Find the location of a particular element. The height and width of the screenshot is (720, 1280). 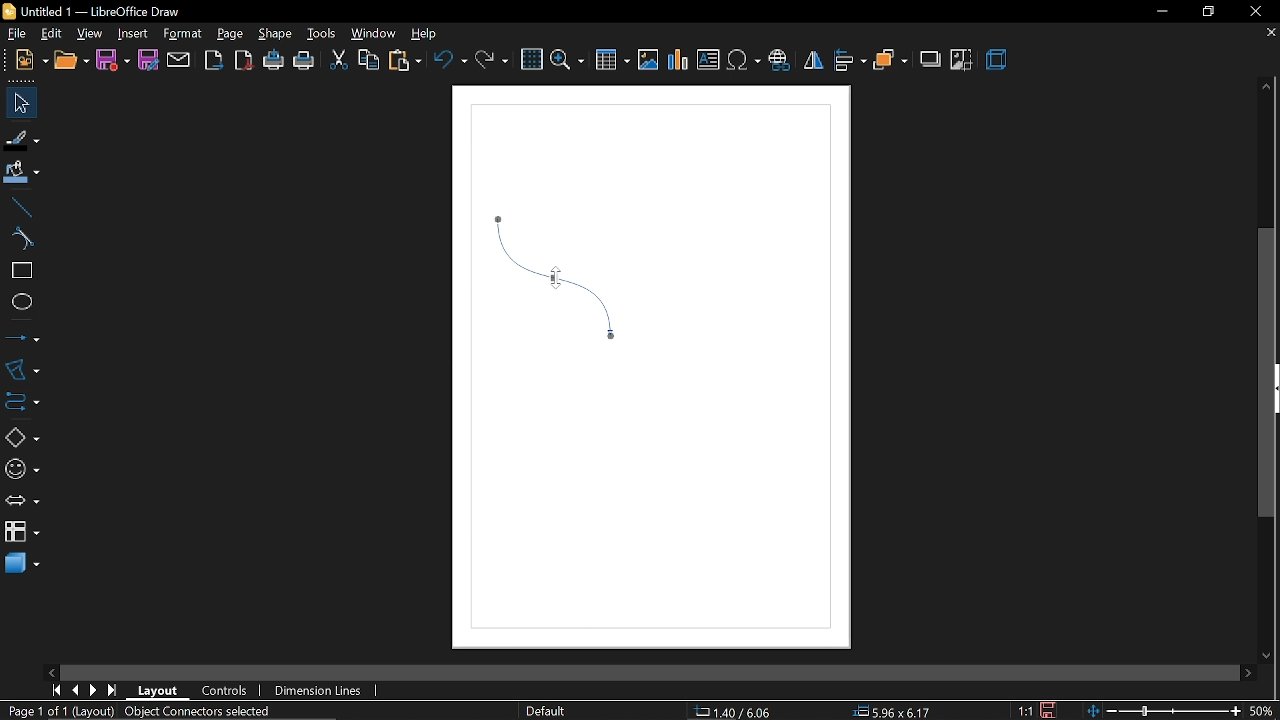

Insert chart is located at coordinates (679, 60).